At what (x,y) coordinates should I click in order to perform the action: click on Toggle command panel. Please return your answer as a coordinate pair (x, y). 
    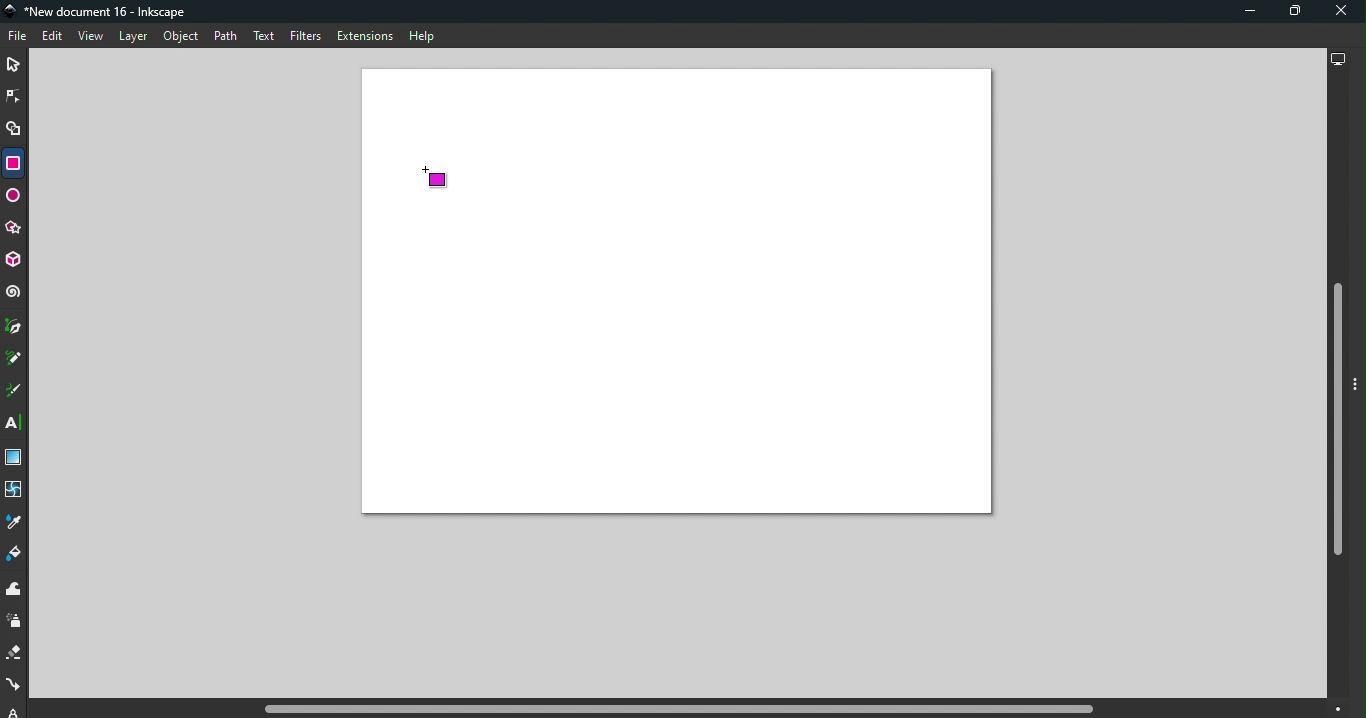
    Looking at the image, I should click on (1358, 386).